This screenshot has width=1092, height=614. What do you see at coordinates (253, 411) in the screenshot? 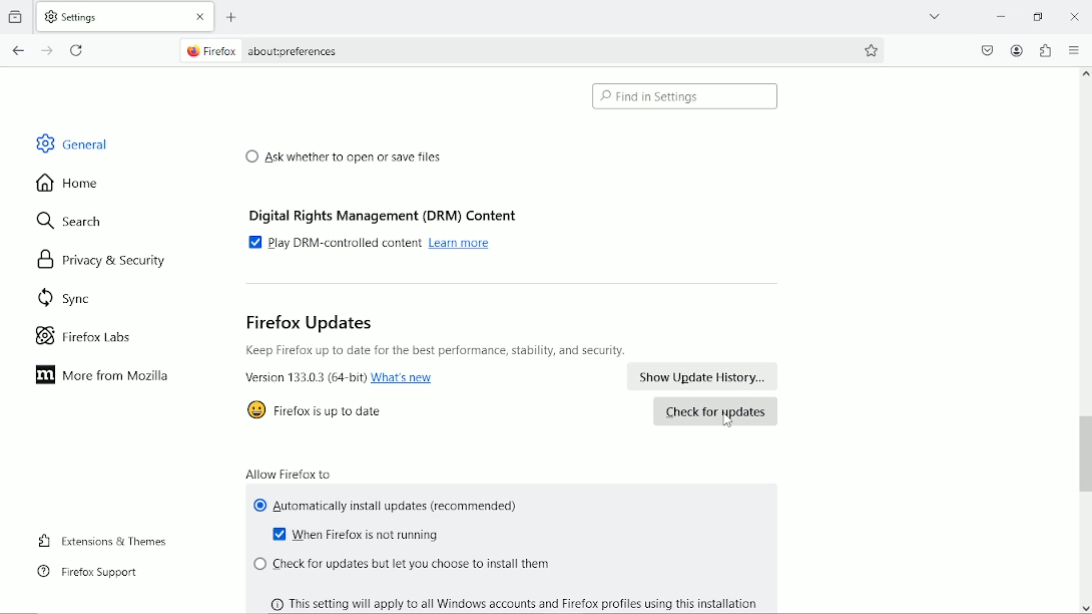
I see `icon` at bounding box center [253, 411].